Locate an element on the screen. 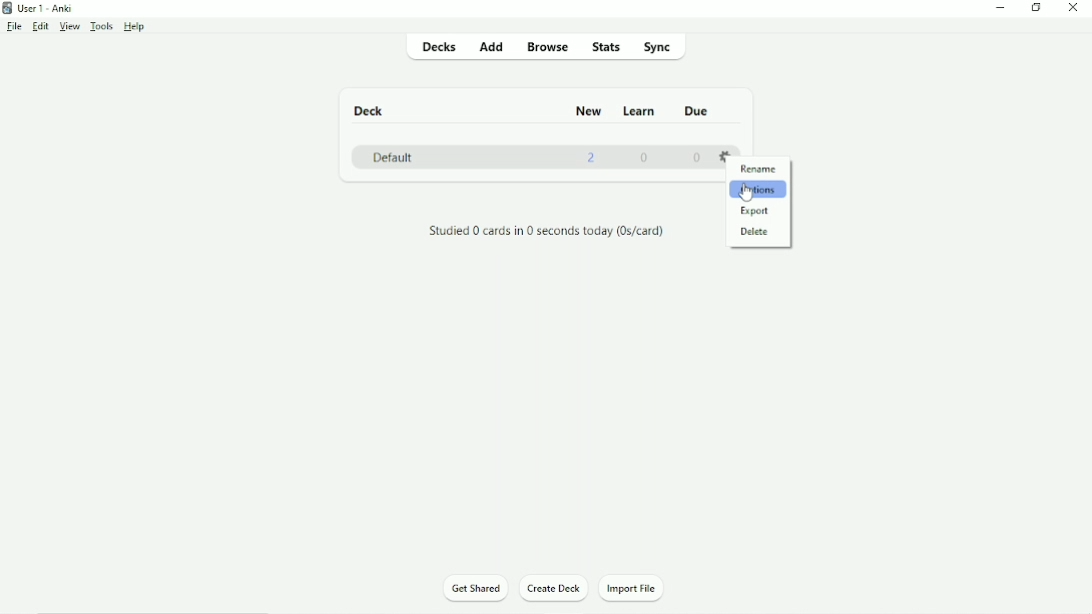  Default is located at coordinates (392, 157).